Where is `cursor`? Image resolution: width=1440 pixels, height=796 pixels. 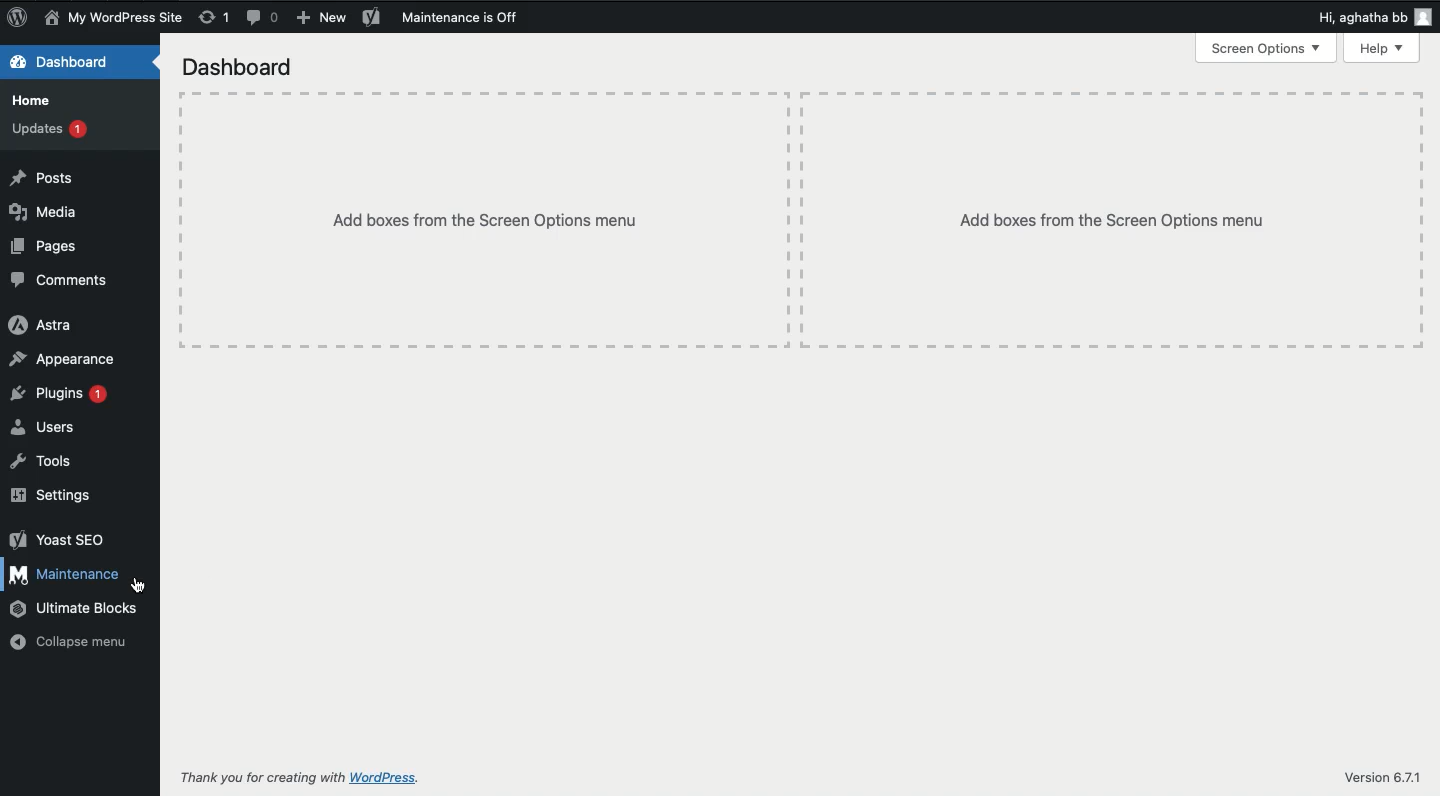 cursor is located at coordinates (139, 586).